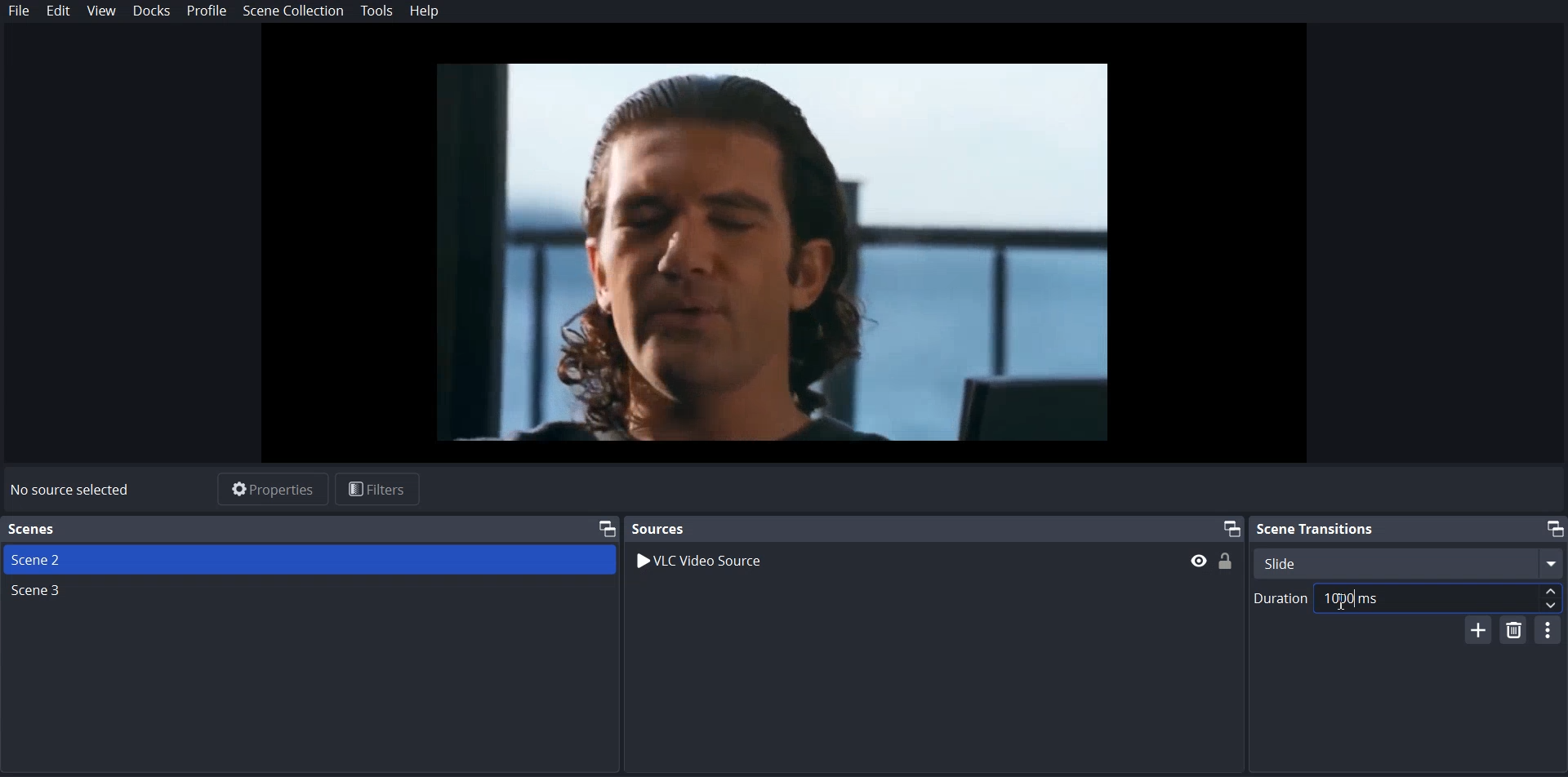  What do you see at coordinates (100, 11) in the screenshot?
I see `View` at bounding box center [100, 11].